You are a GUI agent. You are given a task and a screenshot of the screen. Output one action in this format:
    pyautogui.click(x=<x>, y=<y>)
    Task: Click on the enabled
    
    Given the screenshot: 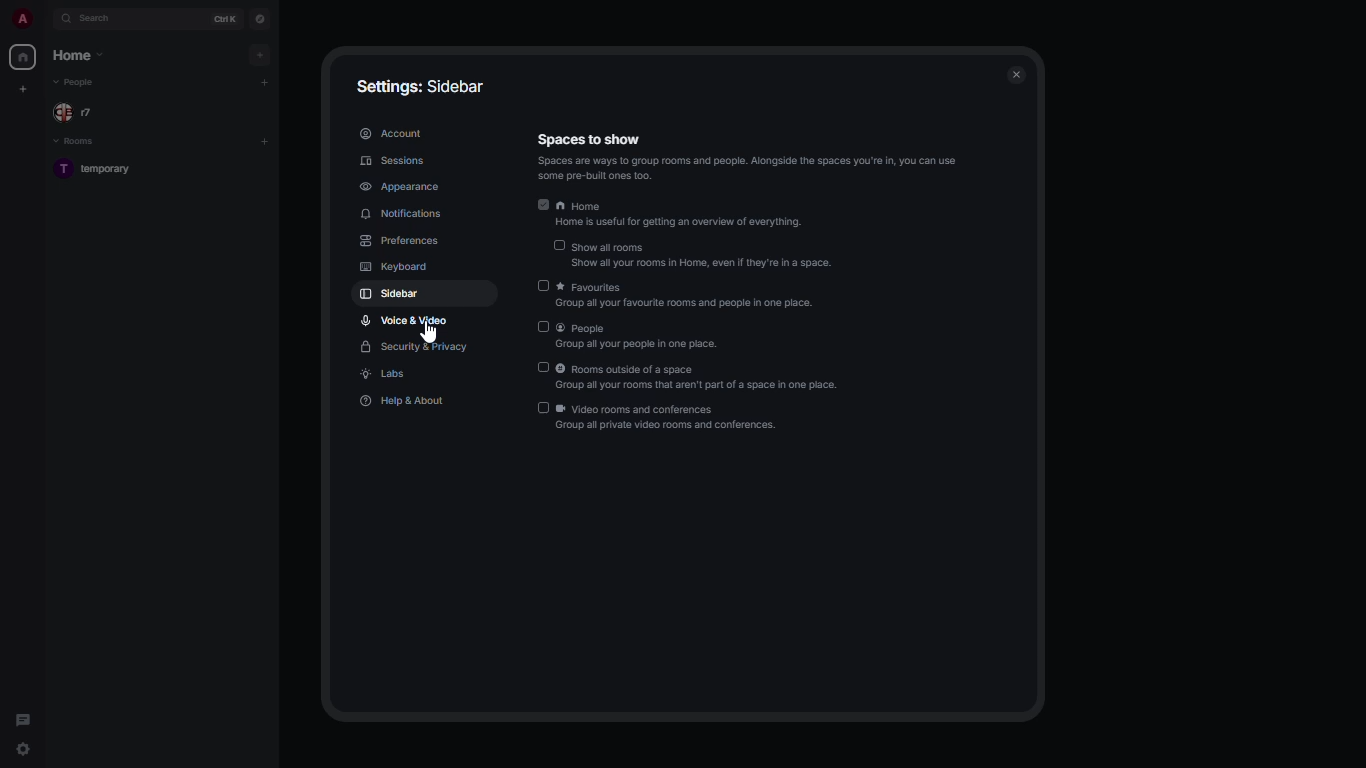 What is the action you would take?
    pyautogui.click(x=541, y=205)
    